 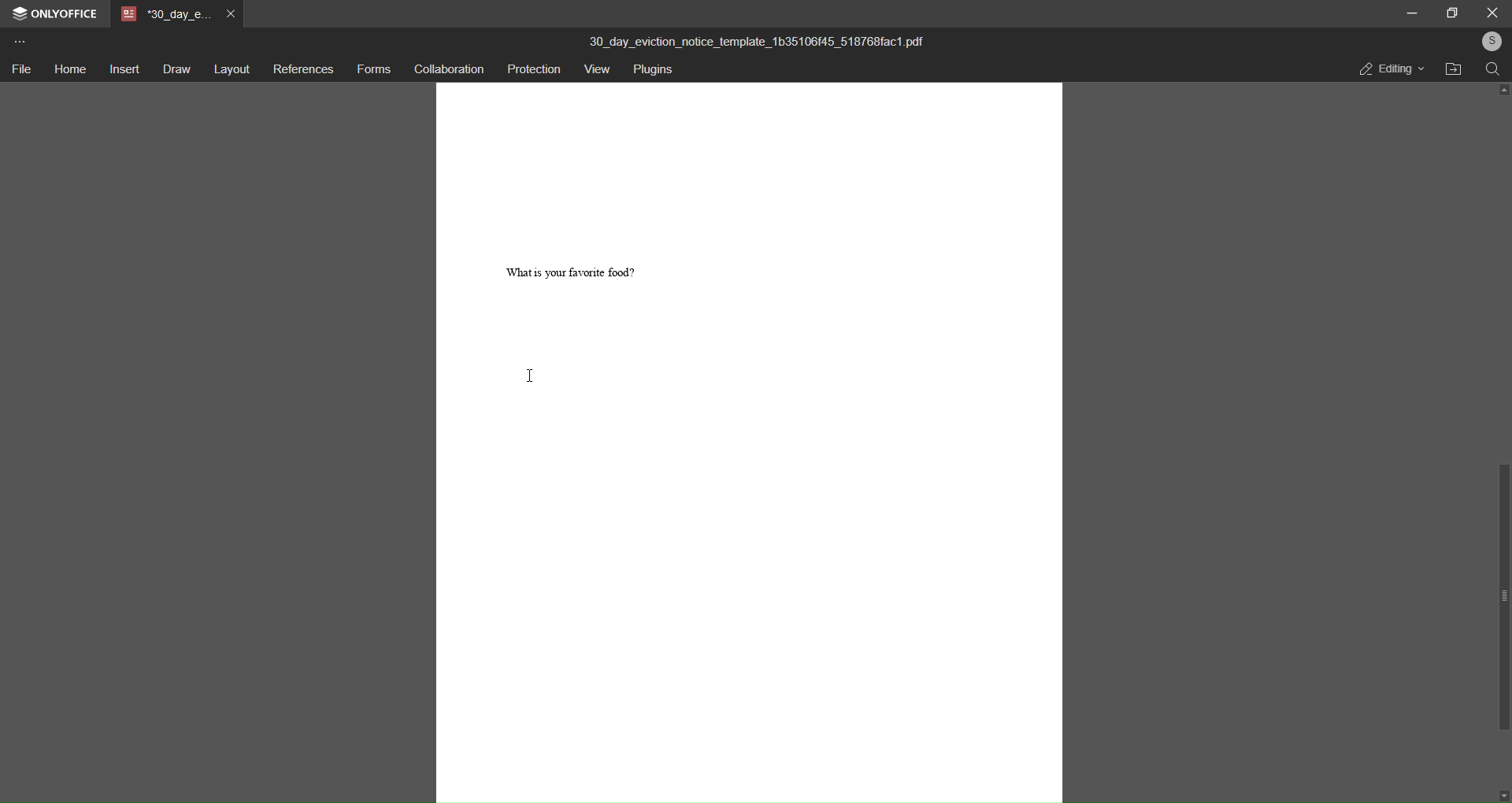 What do you see at coordinates (1410, 13) in the screenshot?
I see `minimize` at bounding box center [1410, 13].